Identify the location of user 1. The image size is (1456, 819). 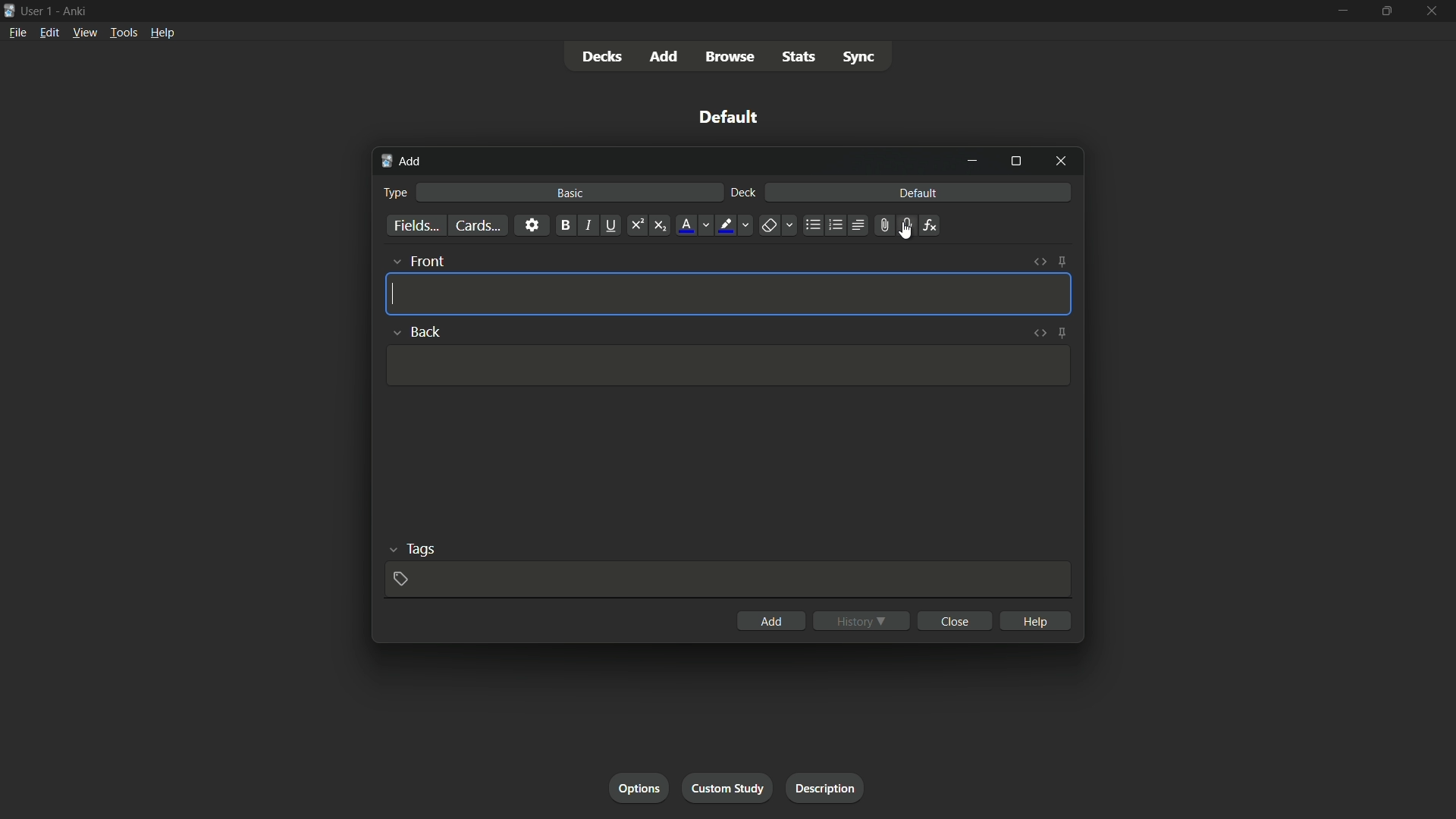
(38, 10).